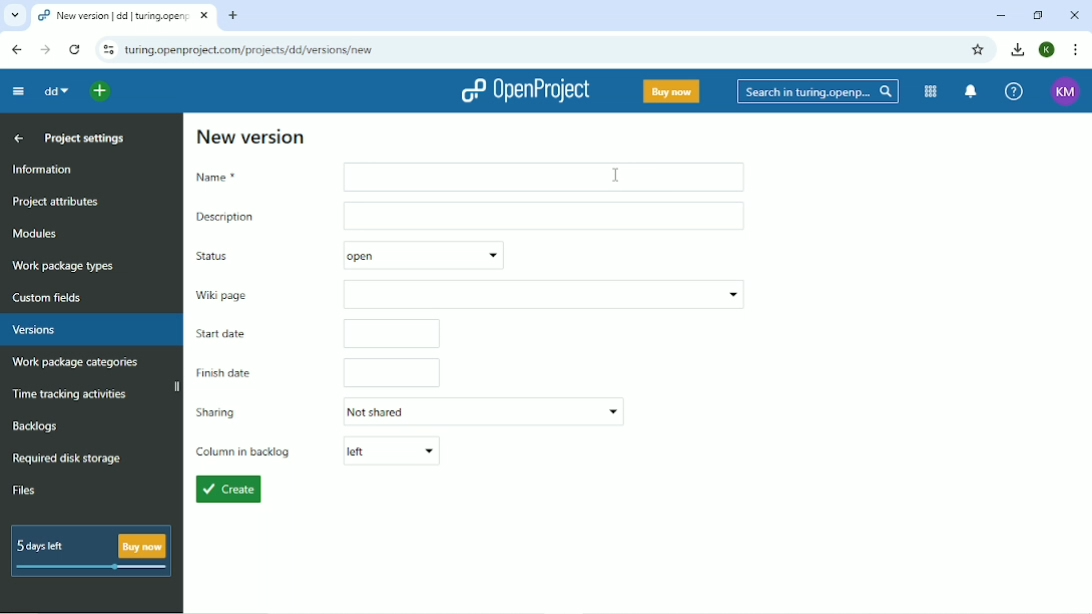  Describe the element at coordinates (1048, 49) in the screenshot. I see `Account` at that location.